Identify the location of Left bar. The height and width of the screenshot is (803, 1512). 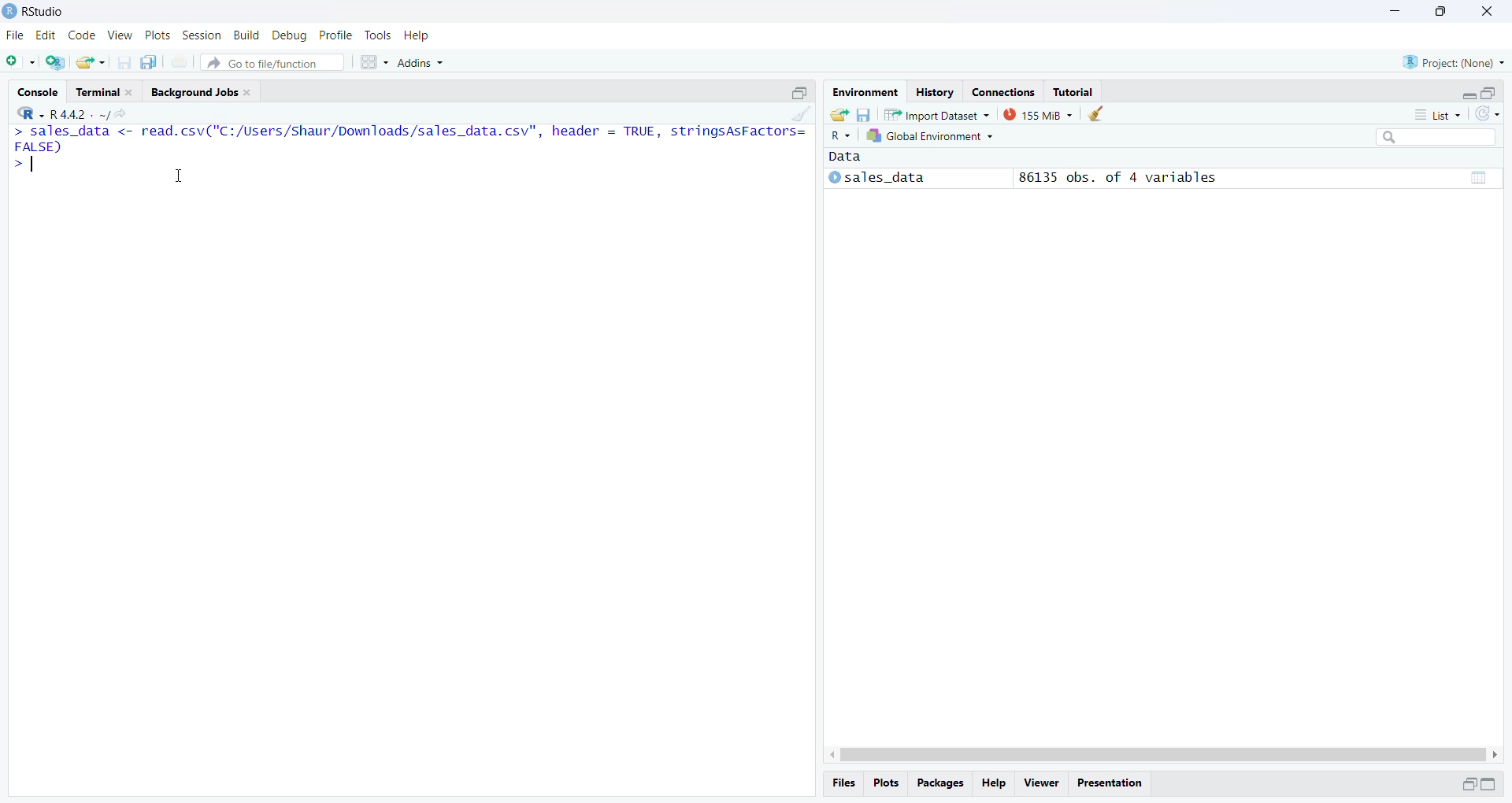
(830, 755).